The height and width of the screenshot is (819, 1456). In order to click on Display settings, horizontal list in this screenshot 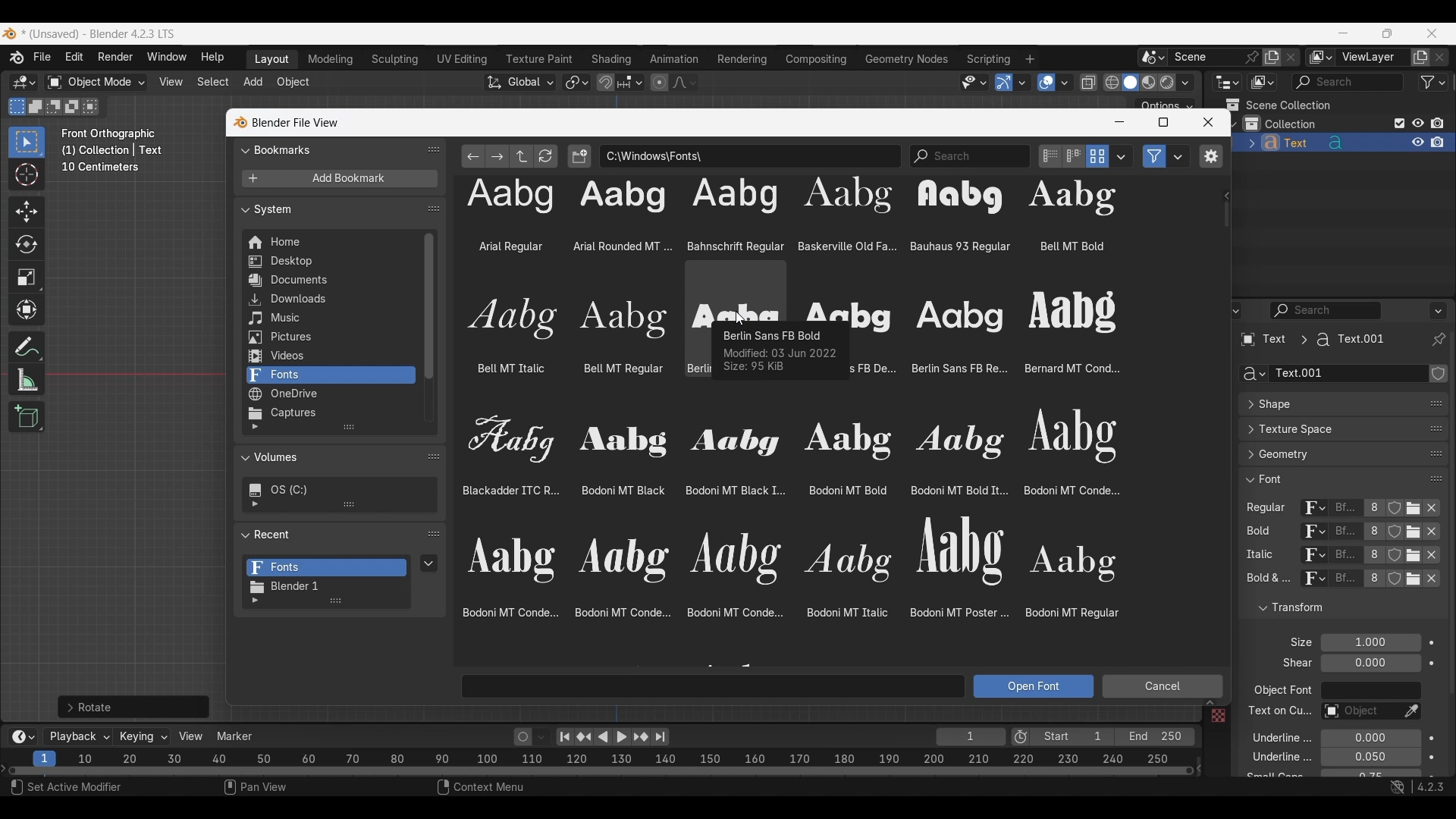, I will do `click(1074, 156)`.